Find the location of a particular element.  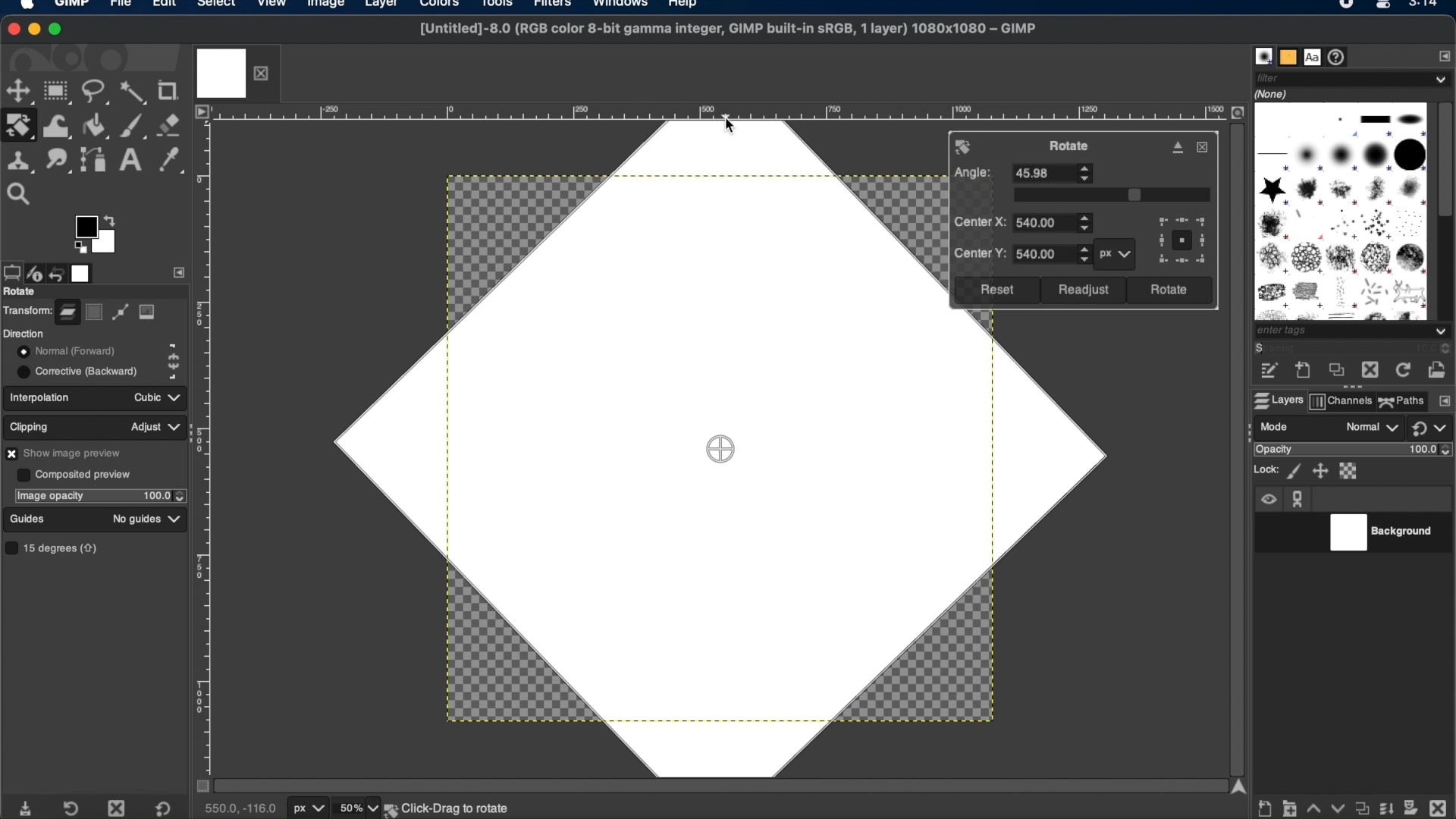

filters is located at coordinates (557, 8).